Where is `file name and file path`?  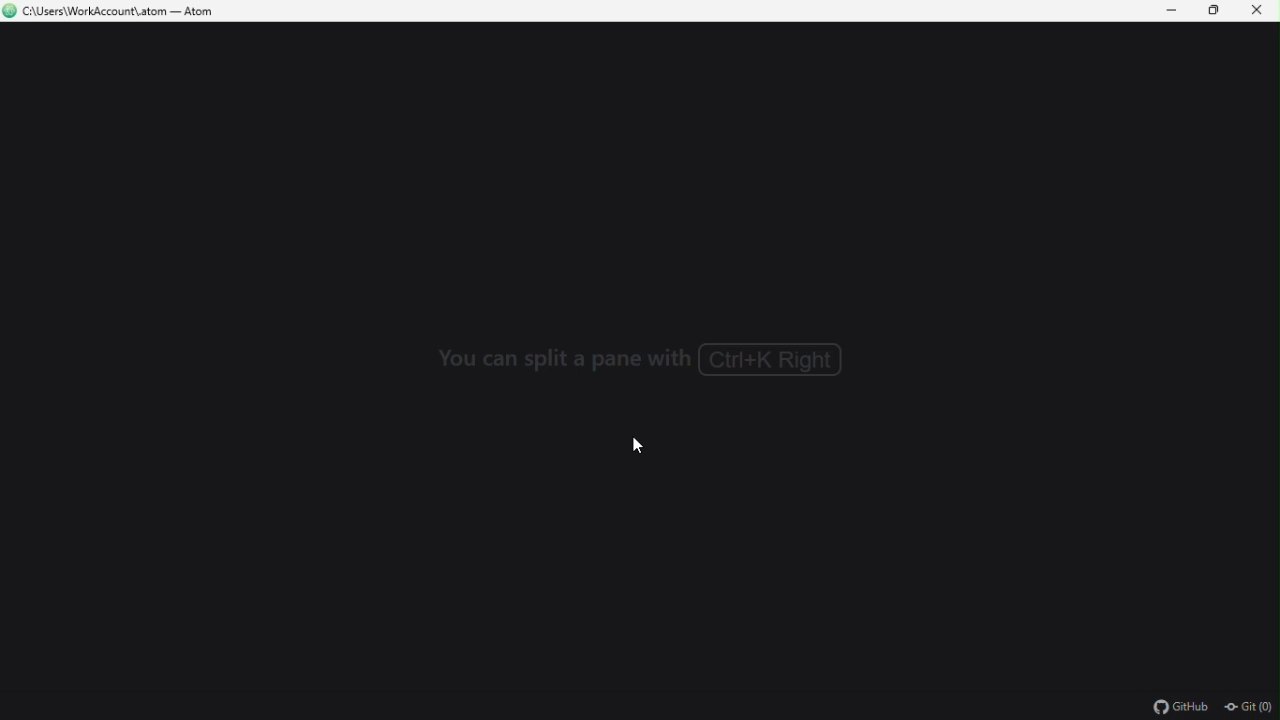
file name and file path is located at coordinates (115, 12).